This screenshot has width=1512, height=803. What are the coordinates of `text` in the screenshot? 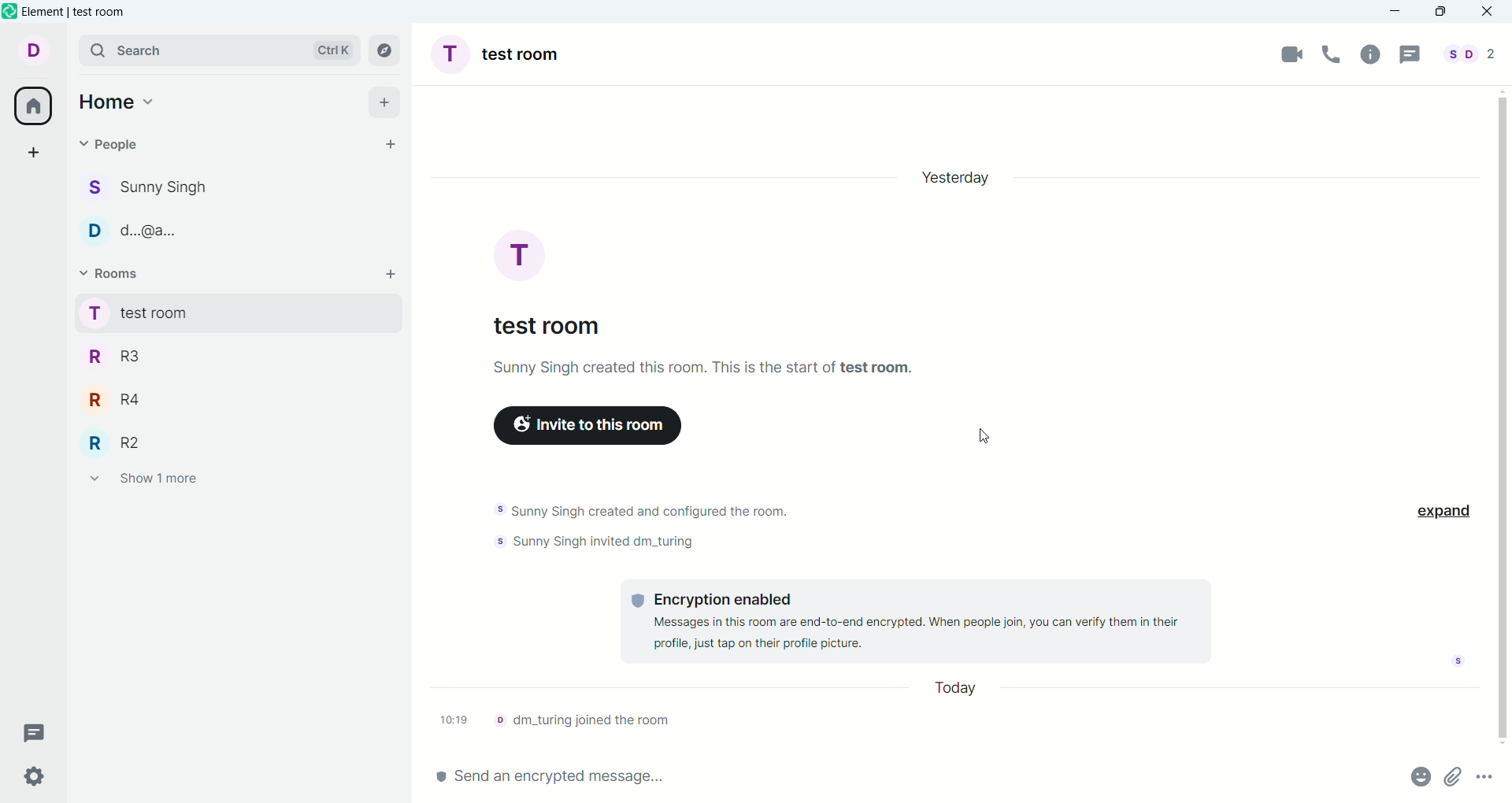 It's located at (906, 622).